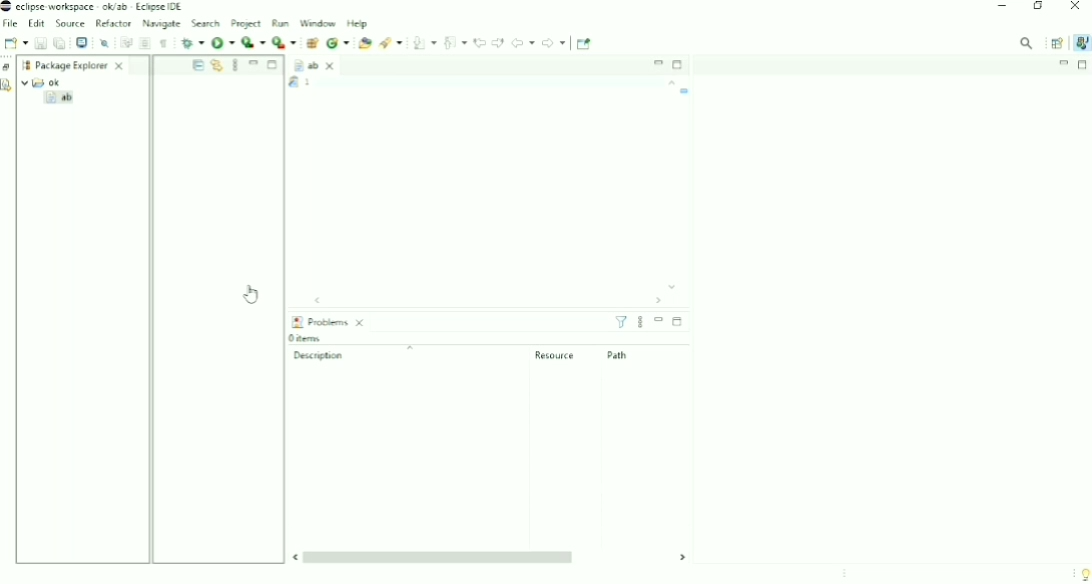 The width and height of the screenshot is (1092, 584). I want to click on Description, so click(375, 354).